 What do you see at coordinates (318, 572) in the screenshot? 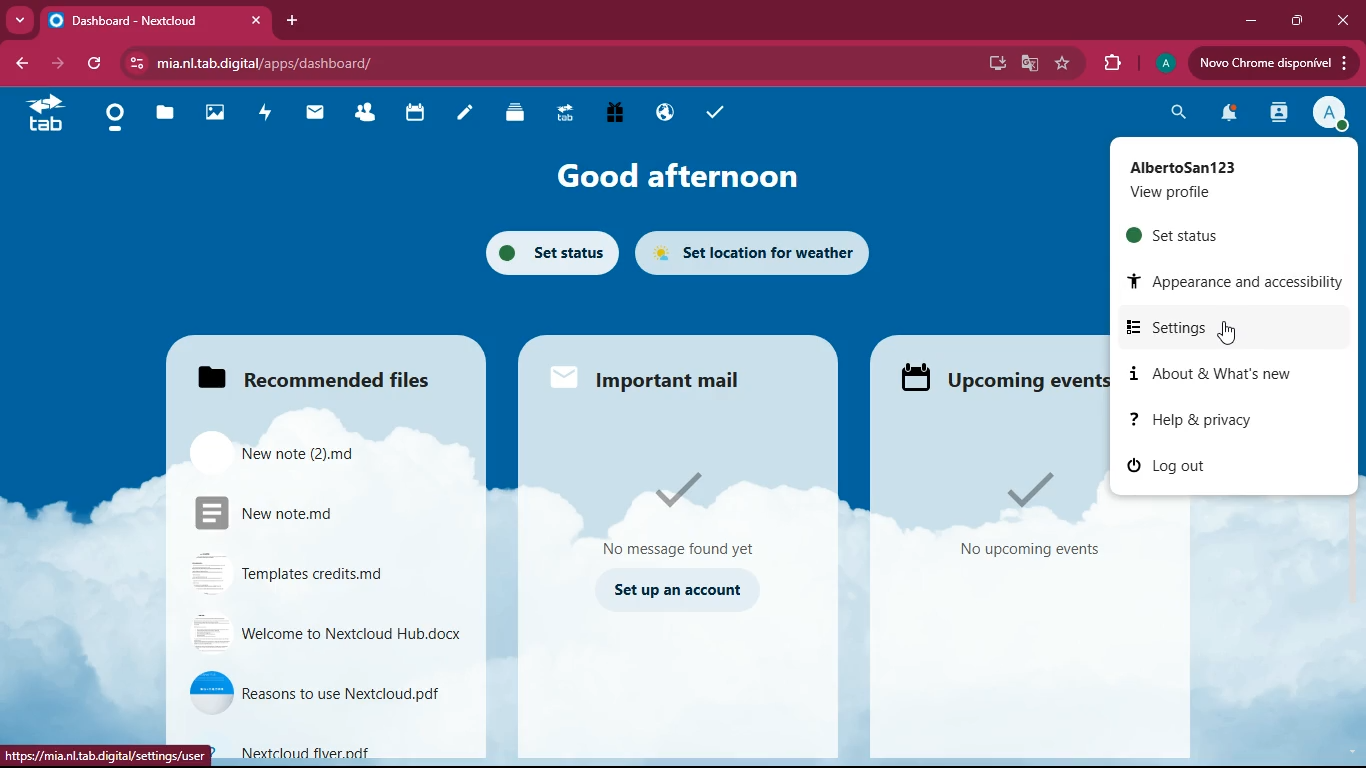
I see `file` at bounding box center [318, 572].